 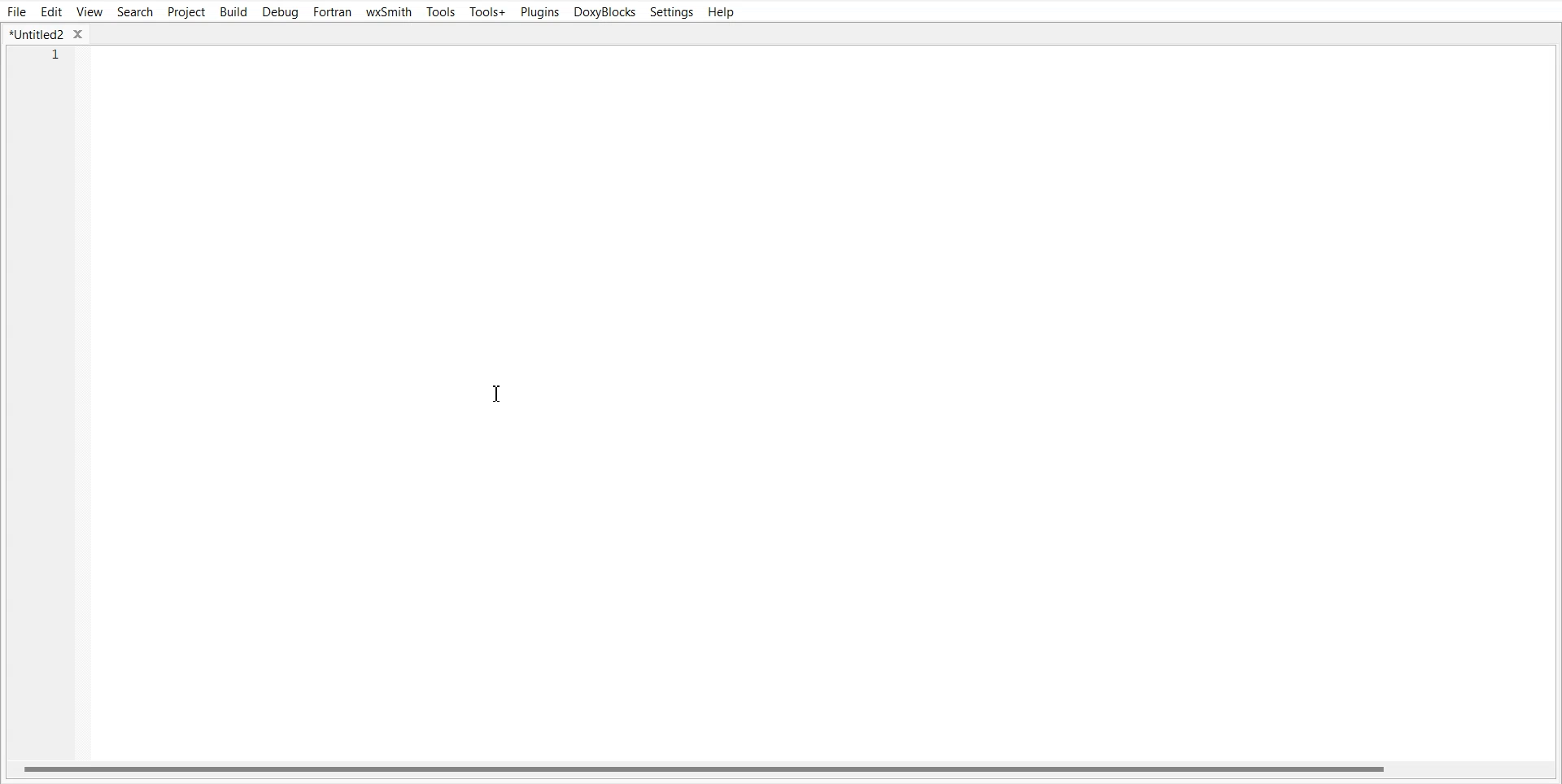 What do you see at coordinates (89, 12) in the screenshot?
I see `View` at bounding box center [89, 12].